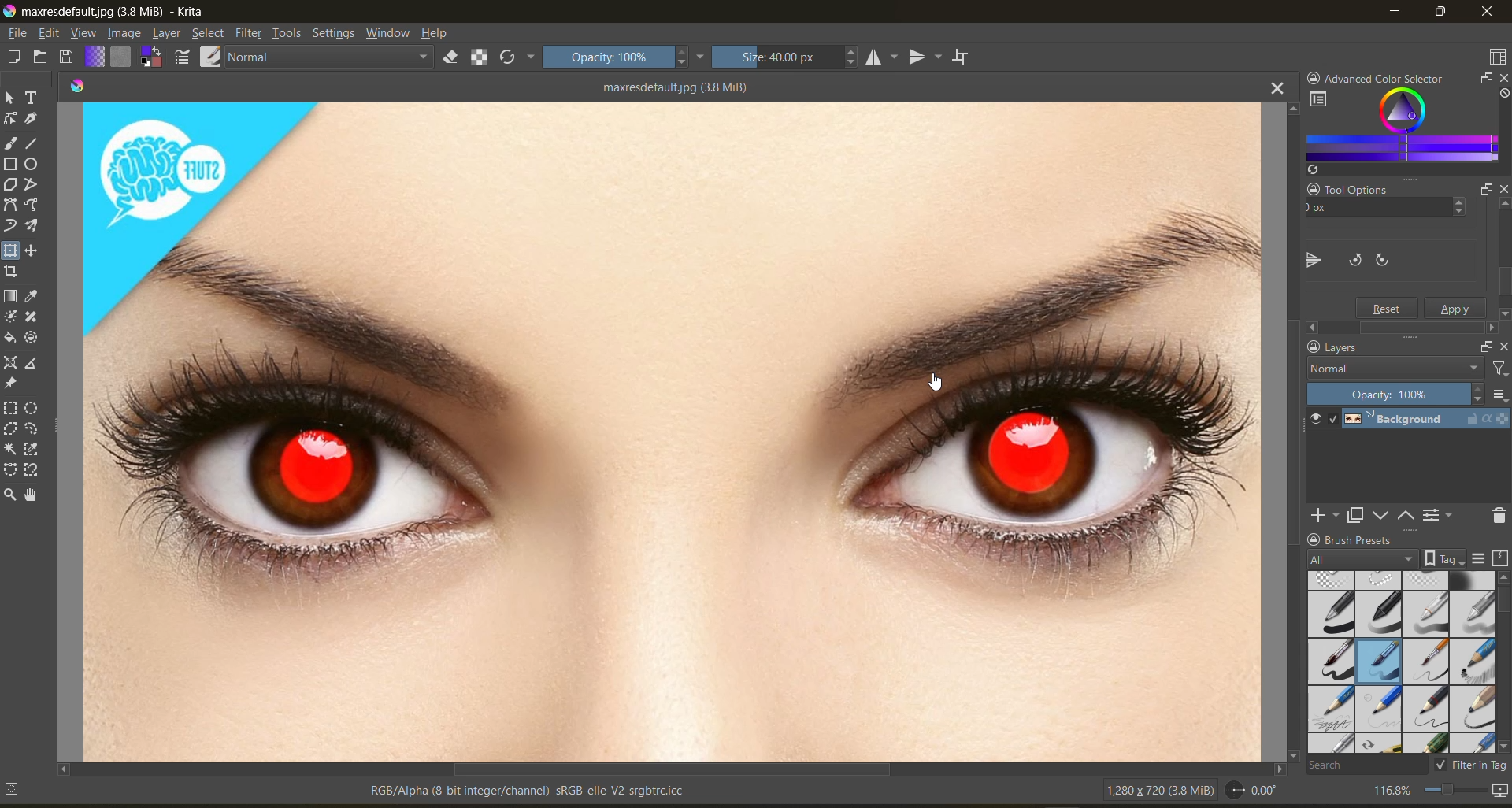  I want to click on save, so click(69, 57).